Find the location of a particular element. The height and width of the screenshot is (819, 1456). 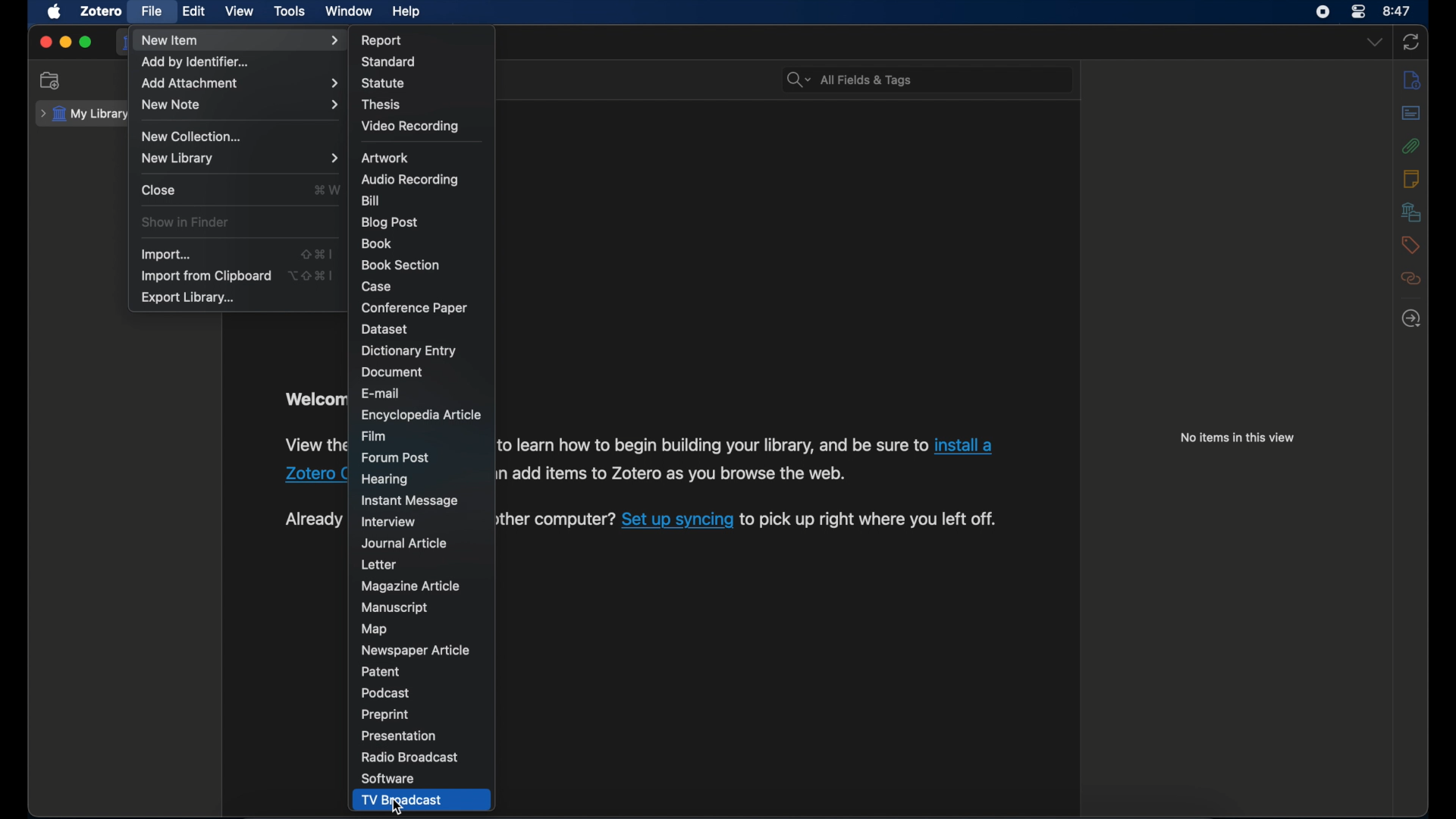

map is located at coordinates (375, 629).